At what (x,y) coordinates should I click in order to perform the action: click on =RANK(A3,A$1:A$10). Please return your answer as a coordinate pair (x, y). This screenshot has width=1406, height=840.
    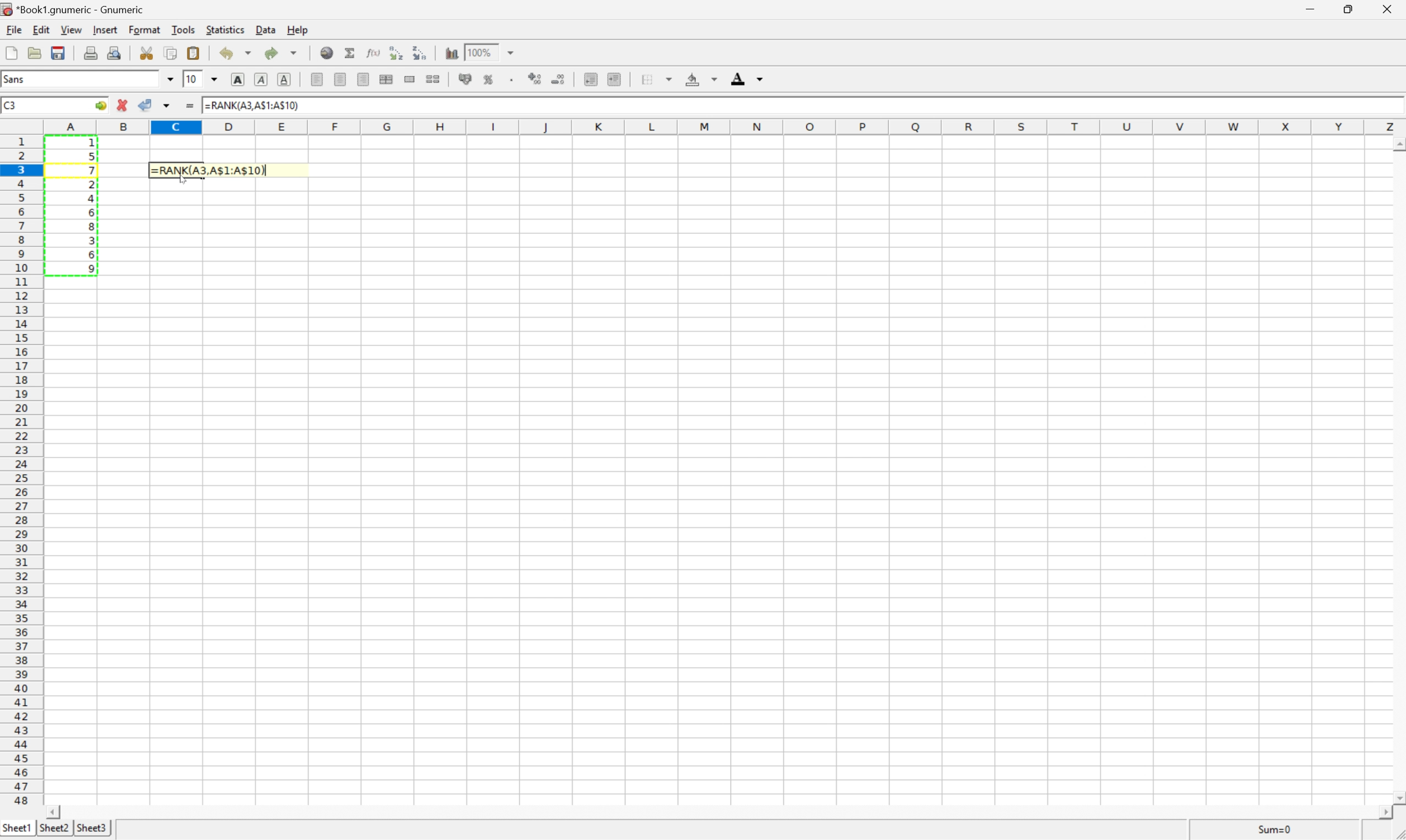
    Looking at the image, I should click on (253, 104).